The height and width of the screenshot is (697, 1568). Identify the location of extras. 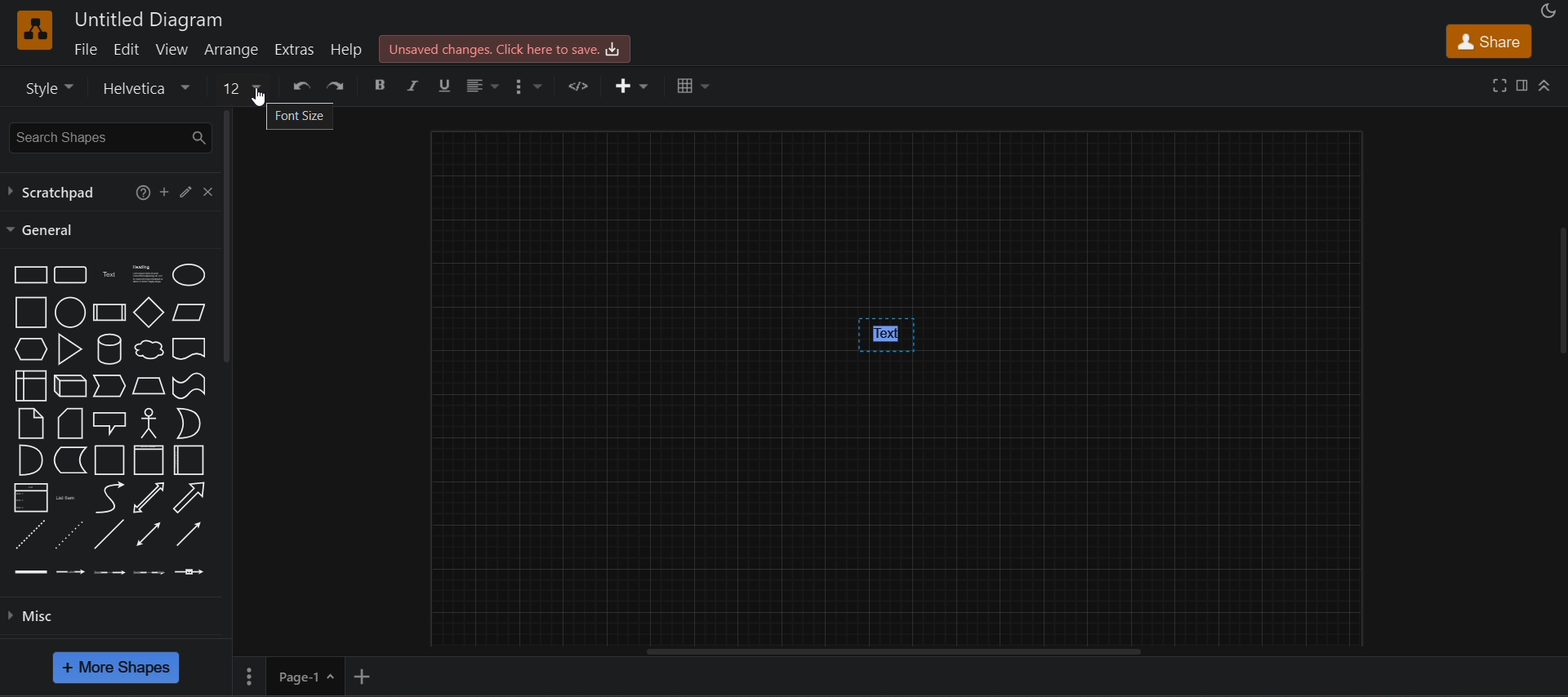
(296, 50).